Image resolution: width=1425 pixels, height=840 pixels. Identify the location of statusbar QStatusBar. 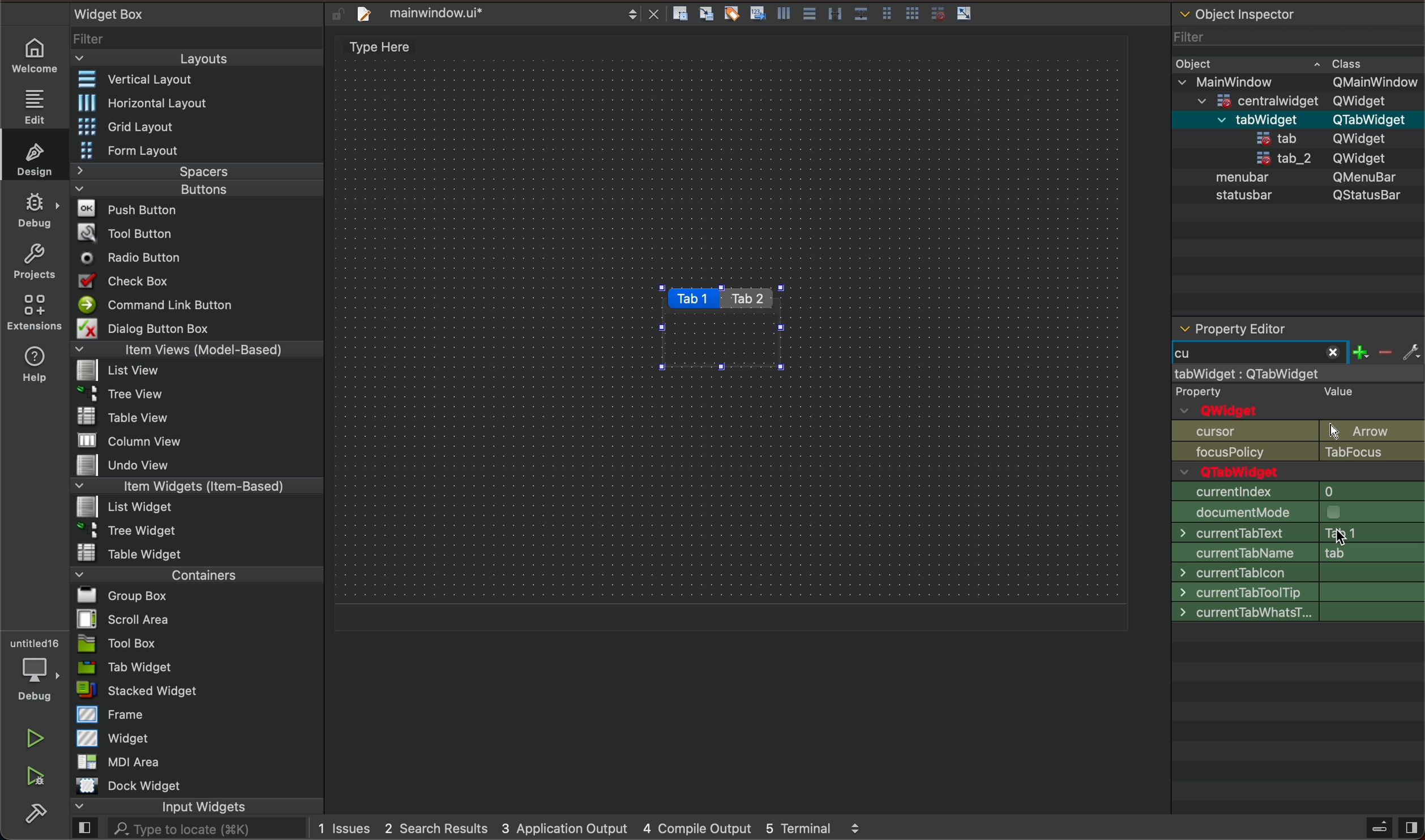
(1296, 138).